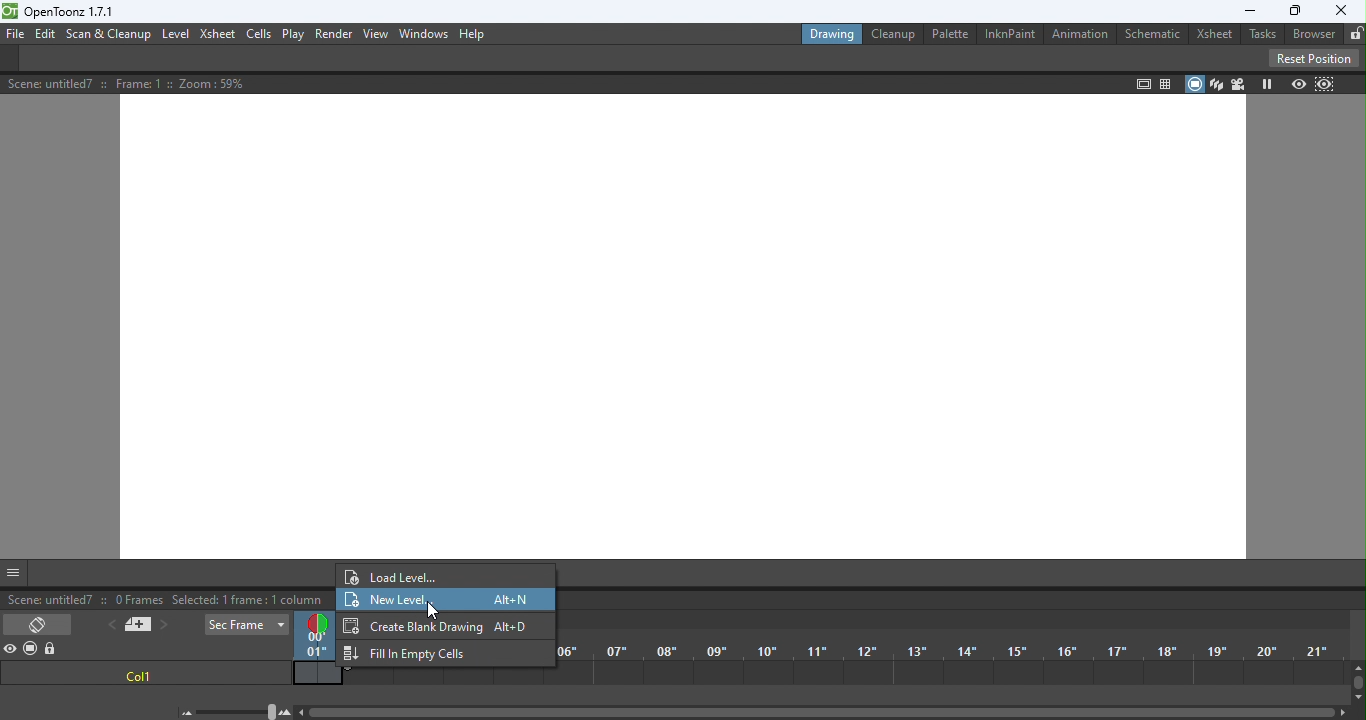 The height and width of the screenshot is (720, 1366). Describe the element at coordinates (892, 34) in the screenshot. I see `Cleanup` at that location.